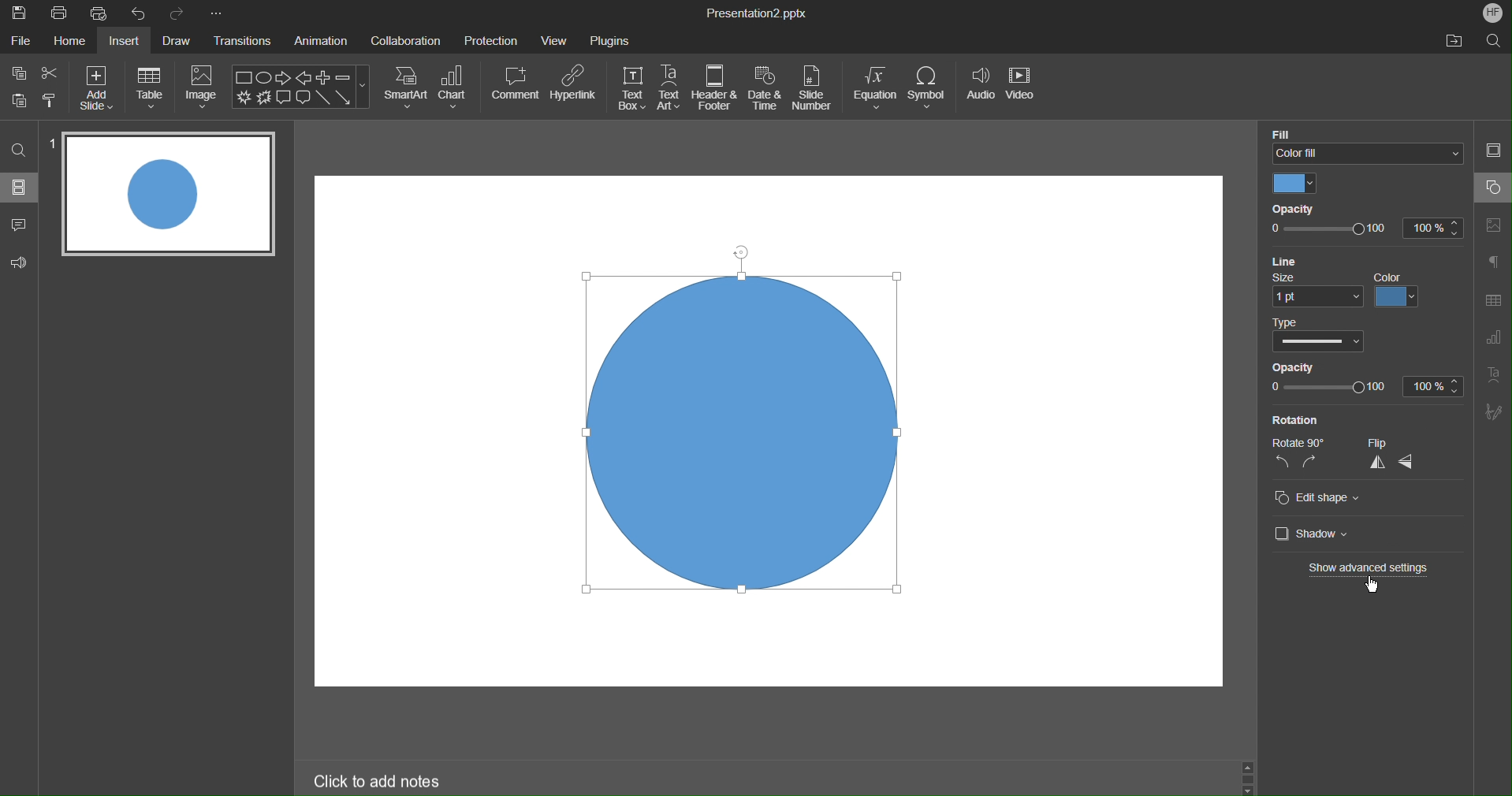 This screenshot has width=1512, height=796. What do you see at coordinates (203, 87) in the screenshot?
I see `Image` at bounding box center [203, 87].